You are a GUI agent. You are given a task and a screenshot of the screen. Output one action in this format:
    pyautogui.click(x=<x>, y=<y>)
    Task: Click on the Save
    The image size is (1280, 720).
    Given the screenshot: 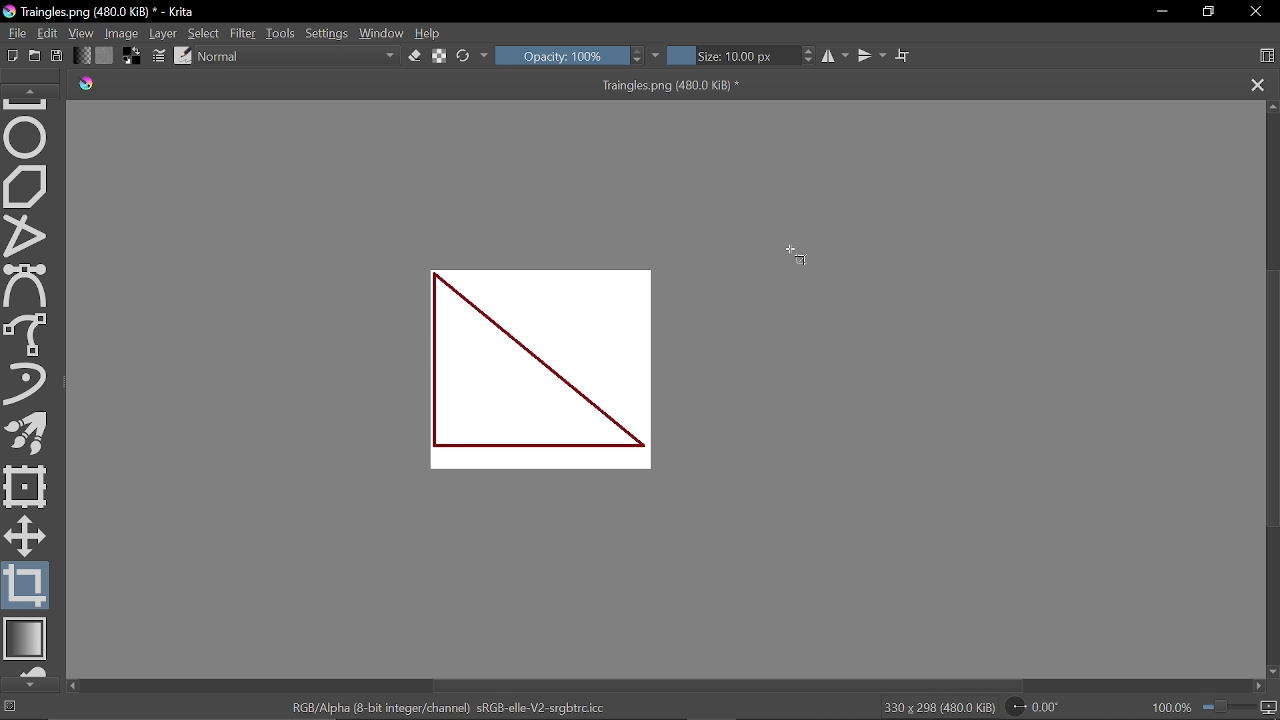 What is the action you would take?
    pyautogui.click(x=58, y=56)
    